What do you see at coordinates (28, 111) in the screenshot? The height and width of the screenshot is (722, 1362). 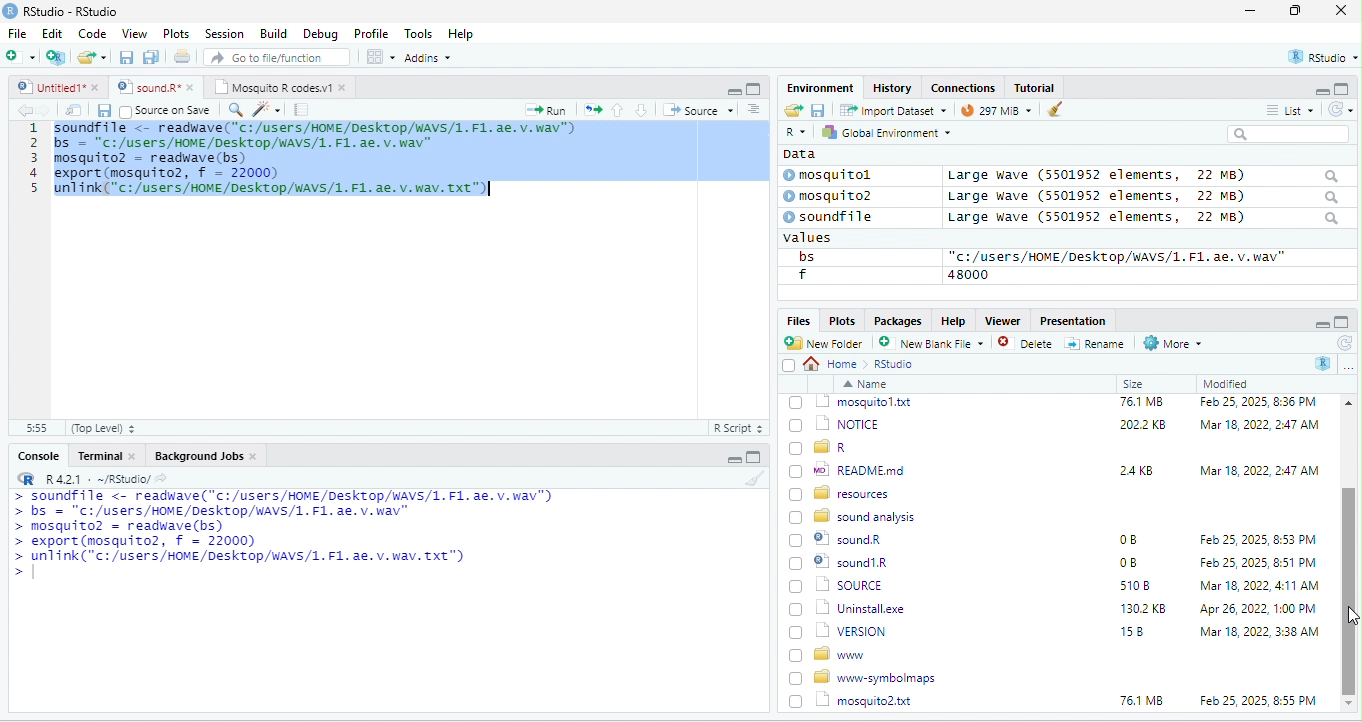 I see `back` at bounding box center [28, 111].